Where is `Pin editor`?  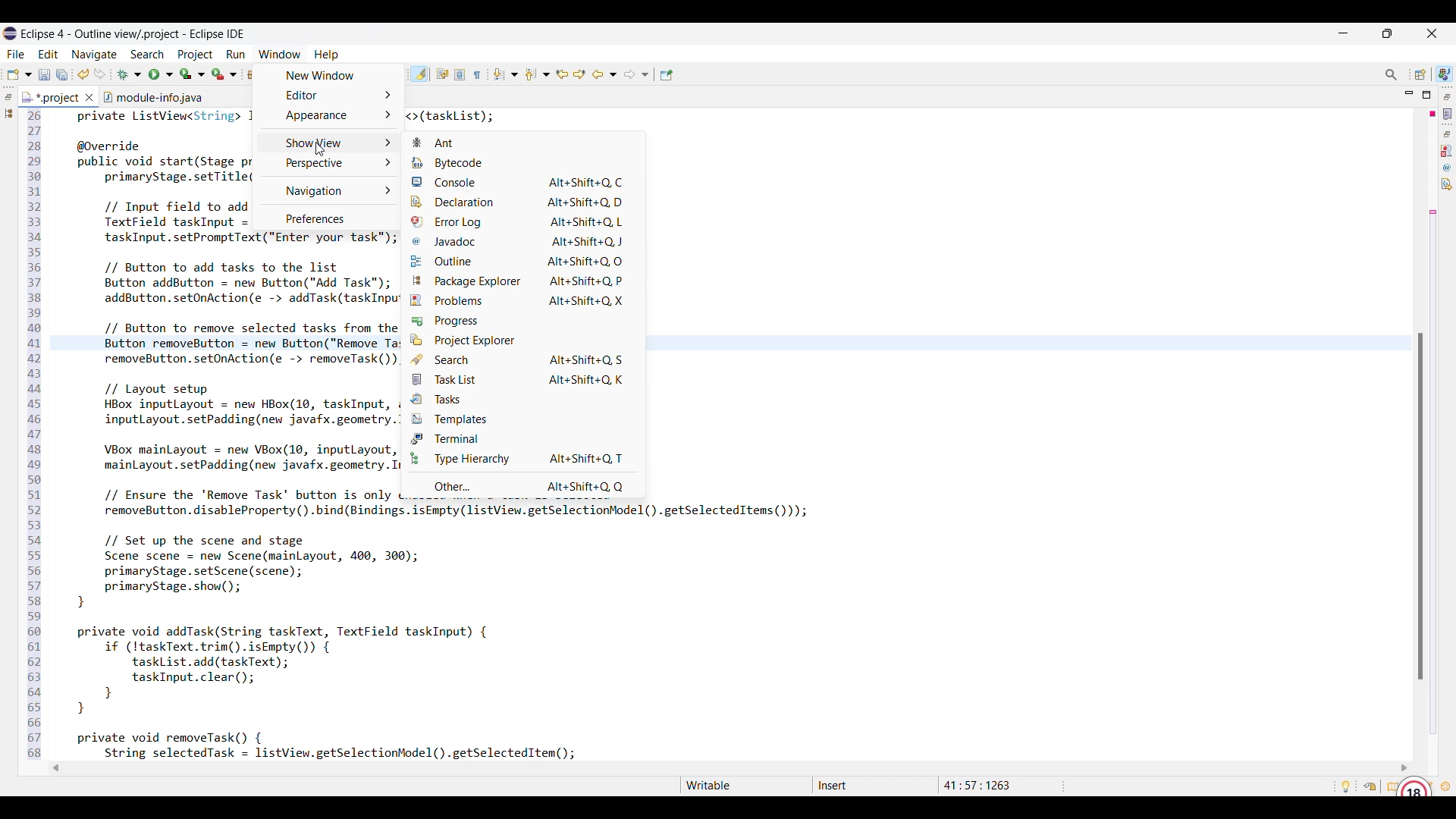 Pin editor is located at coordinates (667, 75).